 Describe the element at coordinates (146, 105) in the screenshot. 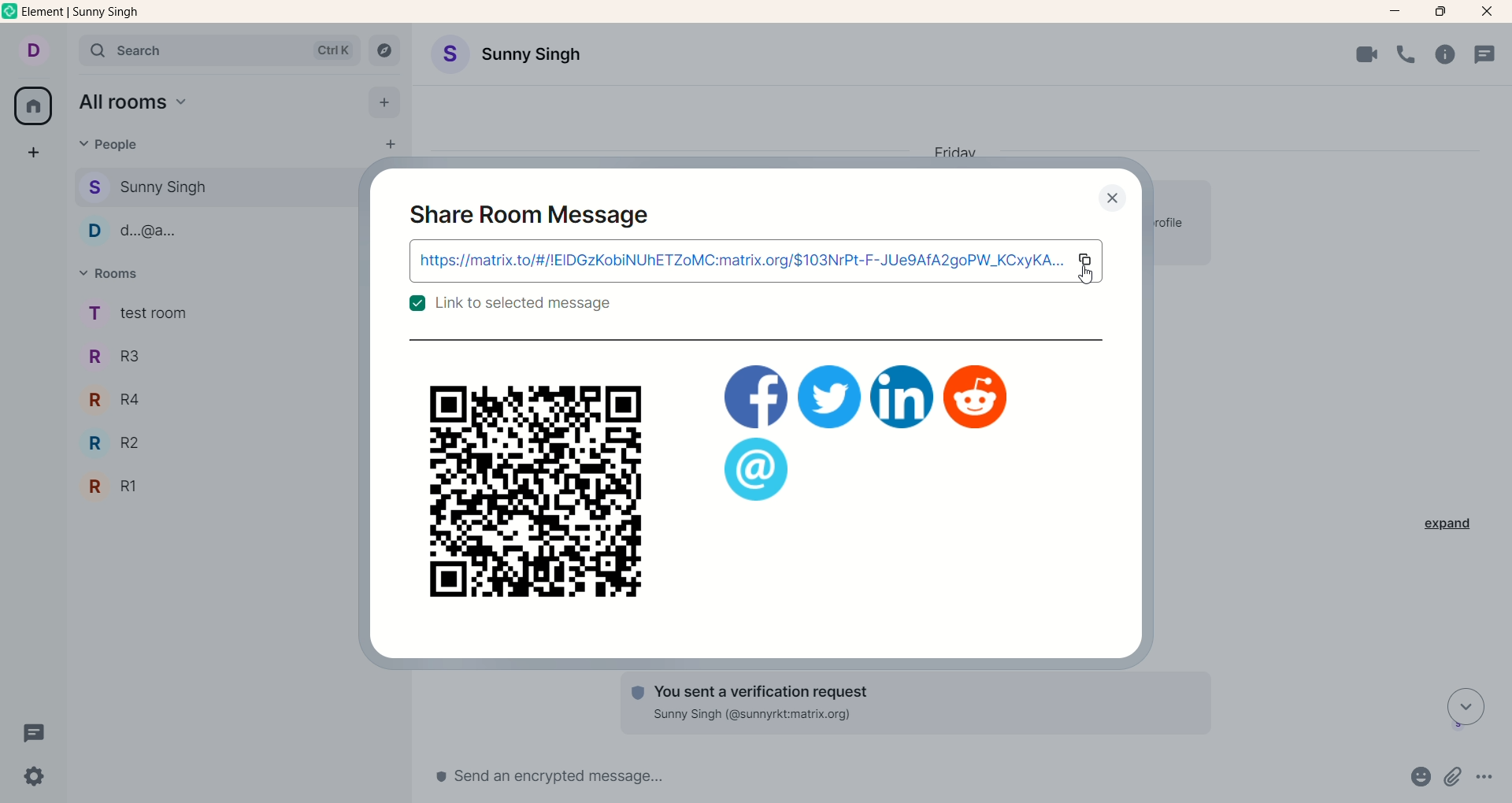

I see `all rooms` at that location.